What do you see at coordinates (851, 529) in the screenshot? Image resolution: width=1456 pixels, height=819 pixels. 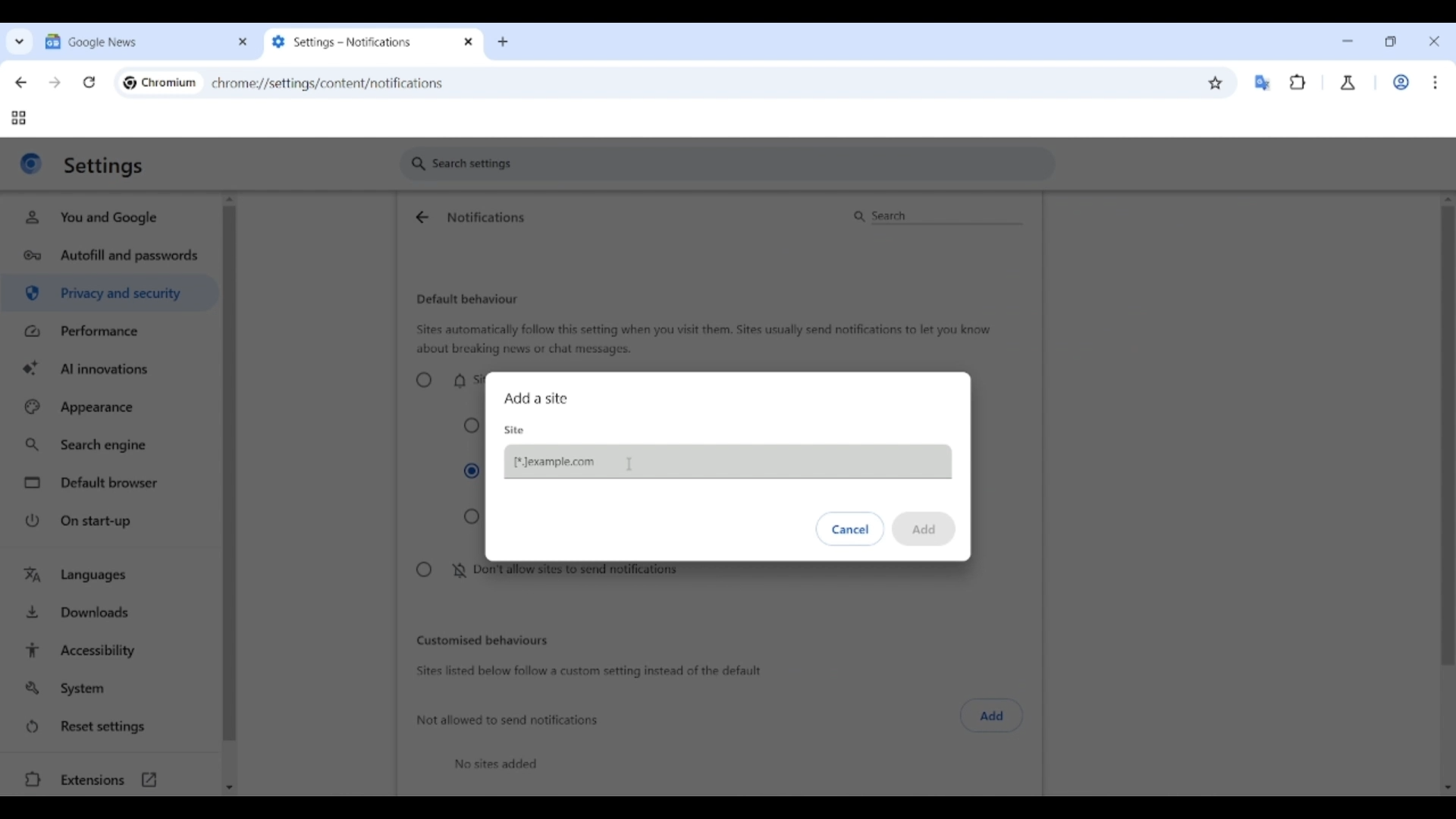 I see `Discard inputs made` at bounding box center [851, 529].